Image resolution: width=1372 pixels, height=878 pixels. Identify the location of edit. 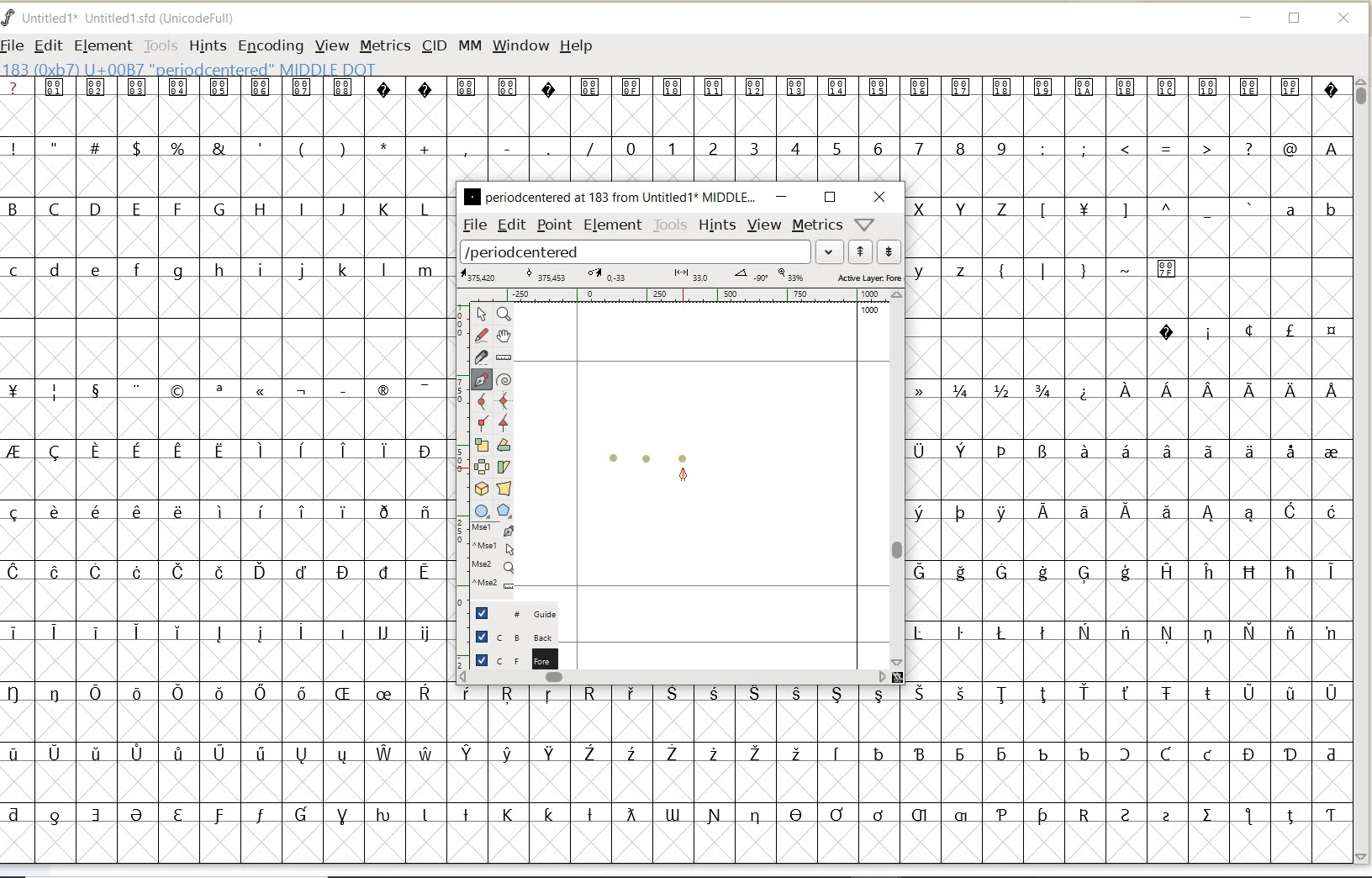
(510, 225).